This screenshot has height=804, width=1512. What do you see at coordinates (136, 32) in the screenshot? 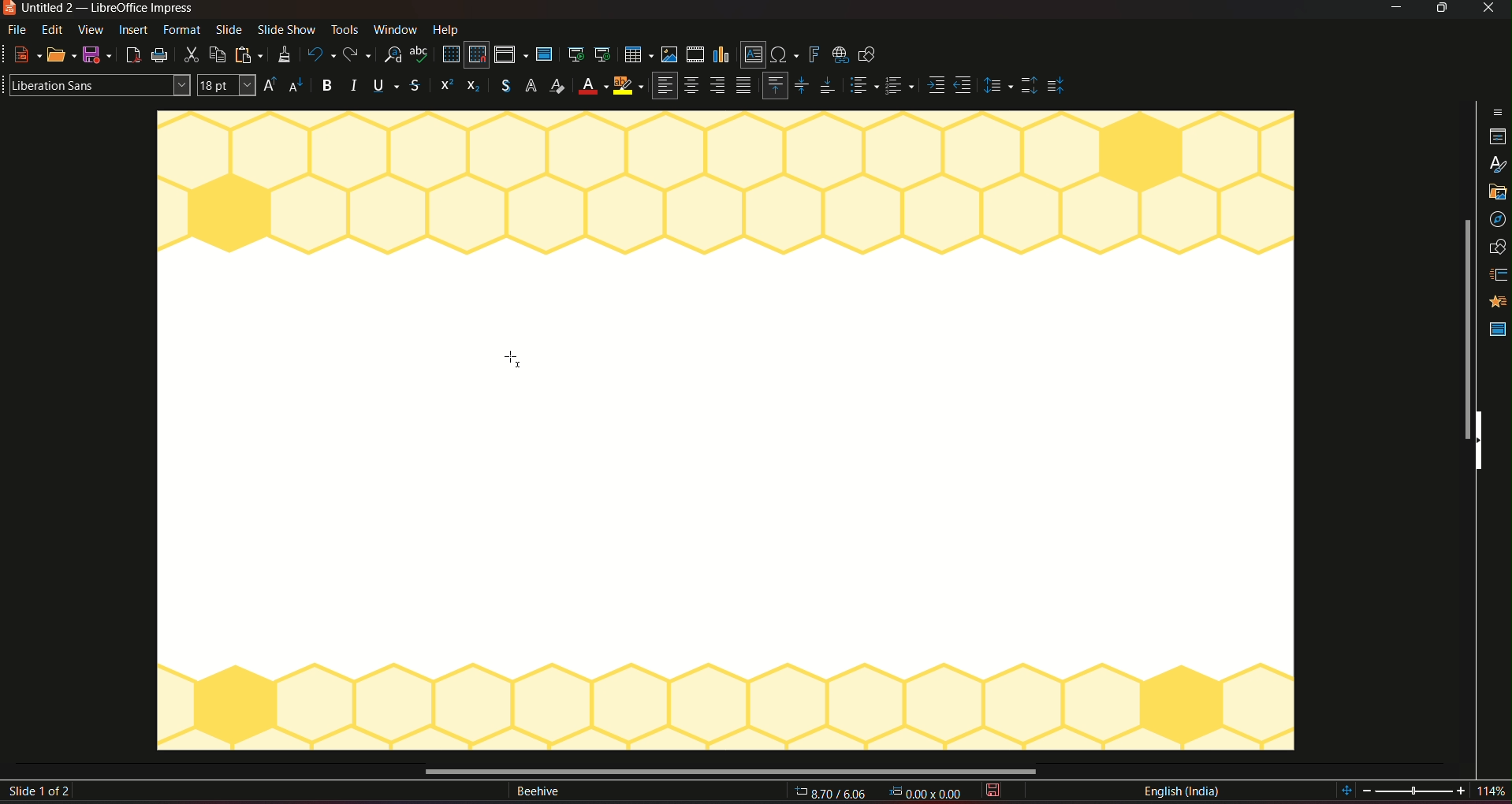
I see `insert` at bounding box center [136, 32].